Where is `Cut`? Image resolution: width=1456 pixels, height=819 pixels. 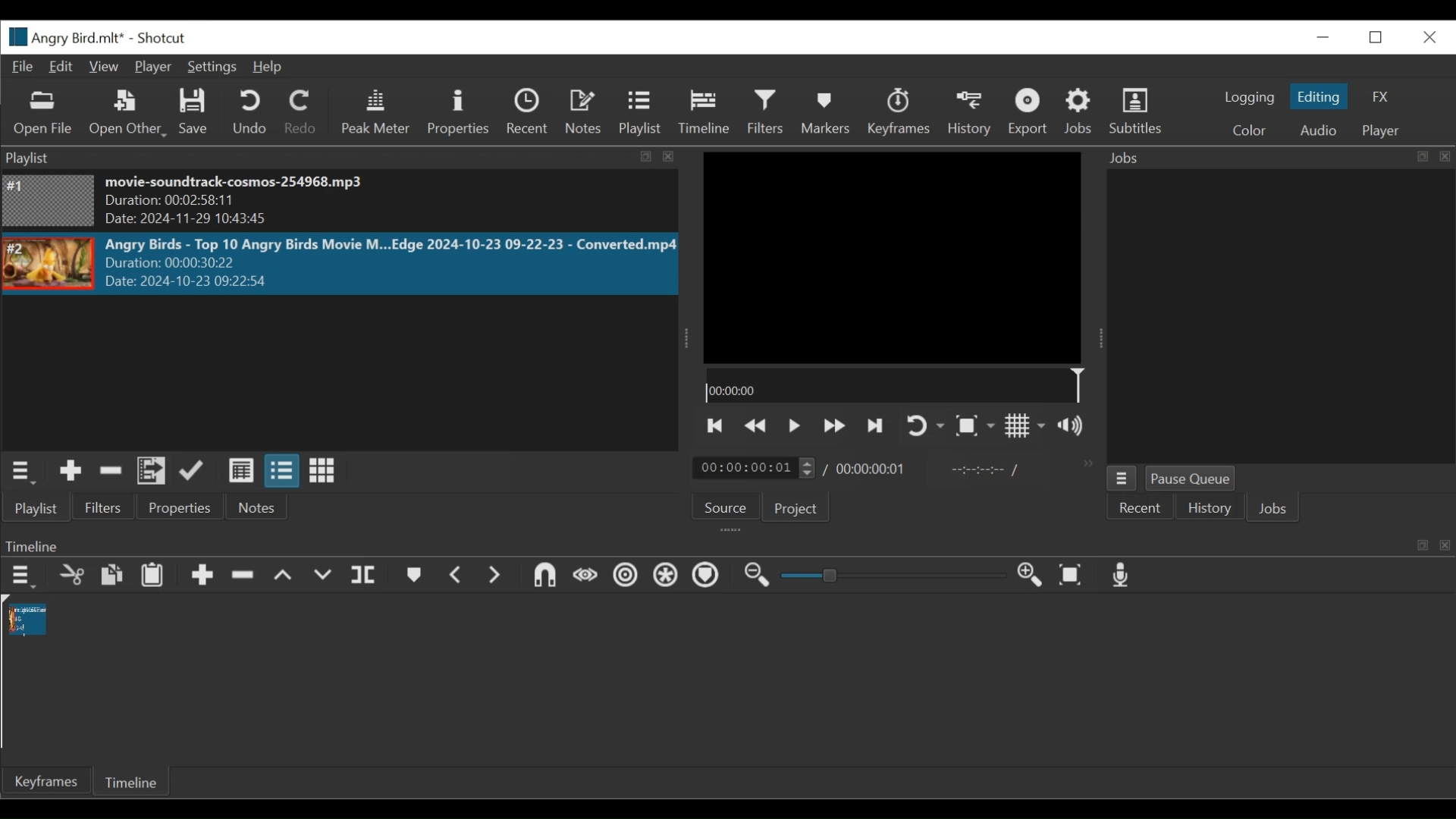
Cut is located at coordinates (71, 576).